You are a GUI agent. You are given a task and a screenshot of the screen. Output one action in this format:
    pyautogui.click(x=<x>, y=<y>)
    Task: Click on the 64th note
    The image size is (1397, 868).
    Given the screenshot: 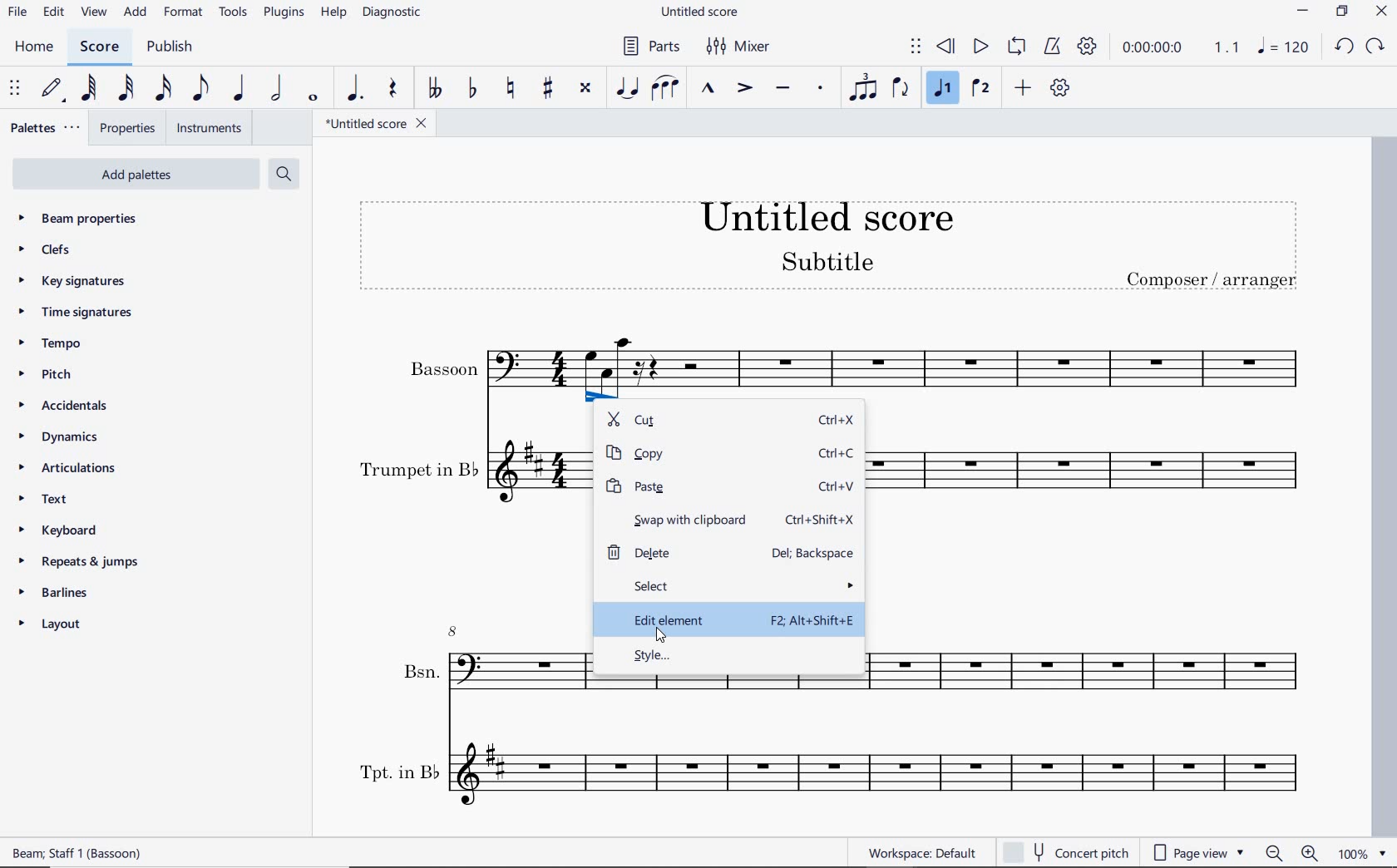 What is the action you would take?
    pyautogui.click(x=90, y=89)
    